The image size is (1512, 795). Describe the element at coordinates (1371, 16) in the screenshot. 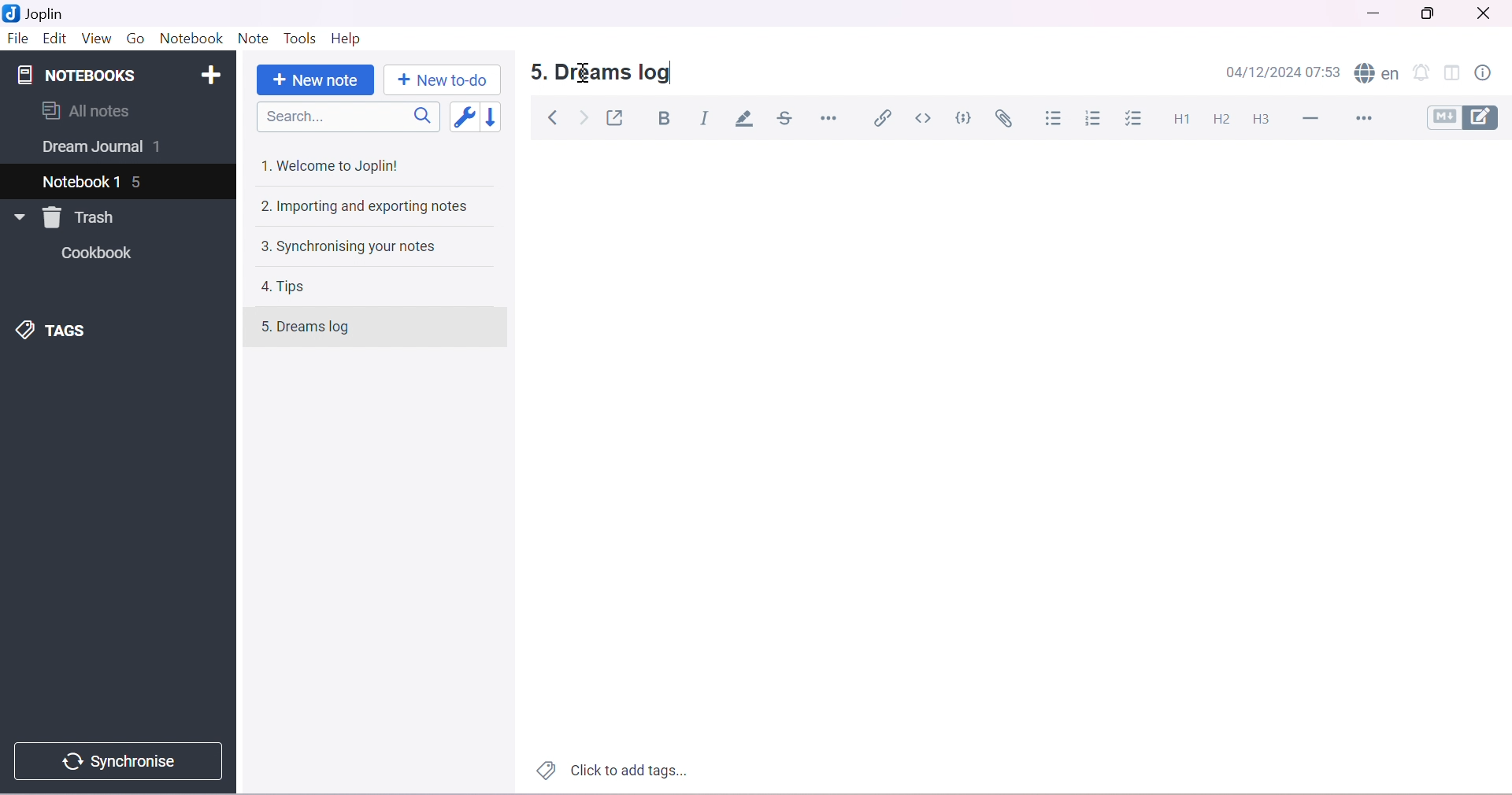

I see `Minimize` at that location.